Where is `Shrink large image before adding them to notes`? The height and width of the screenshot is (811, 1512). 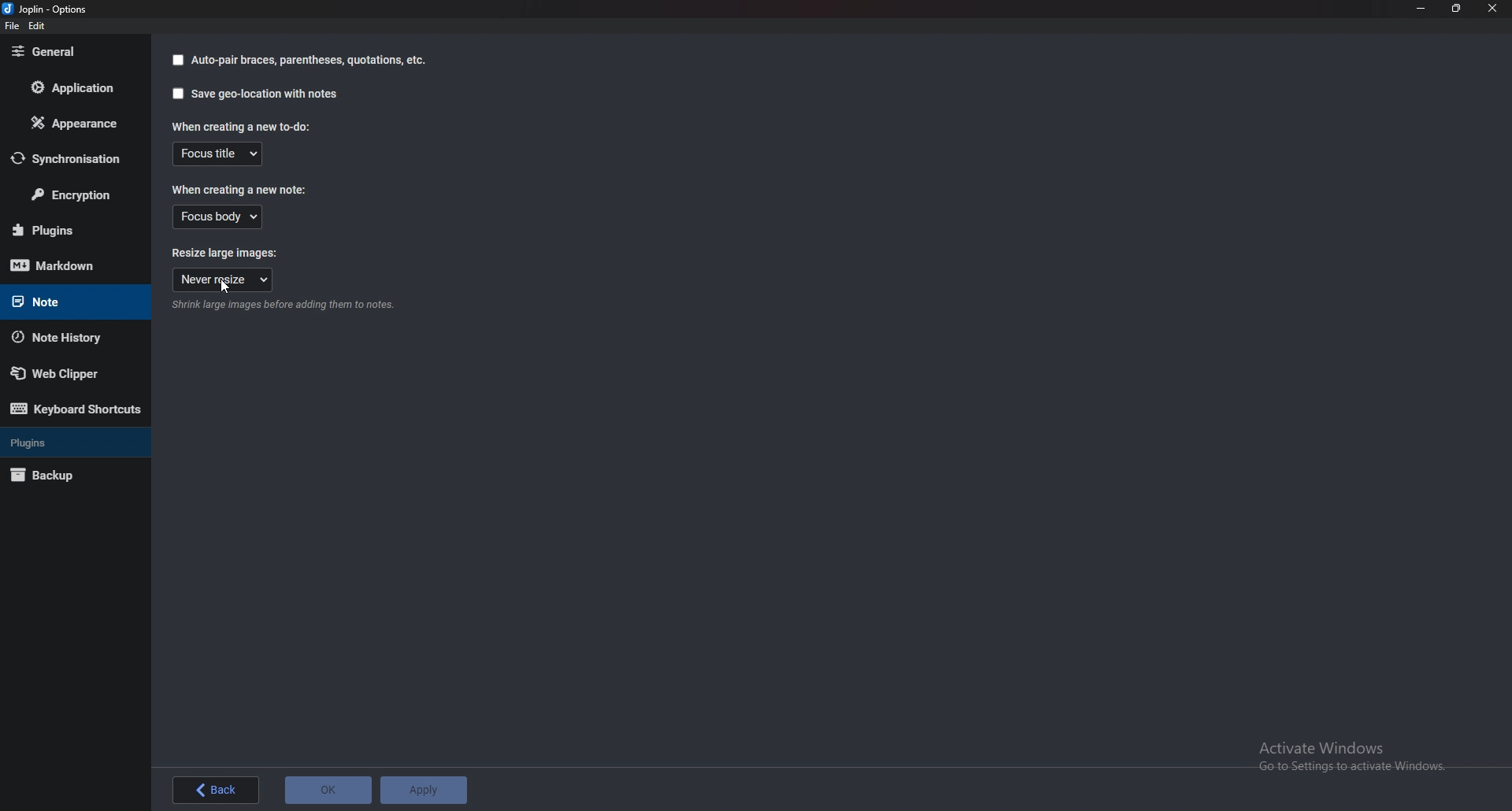 Shrink large image before adding them to notes is located at coordinates (283, 306).